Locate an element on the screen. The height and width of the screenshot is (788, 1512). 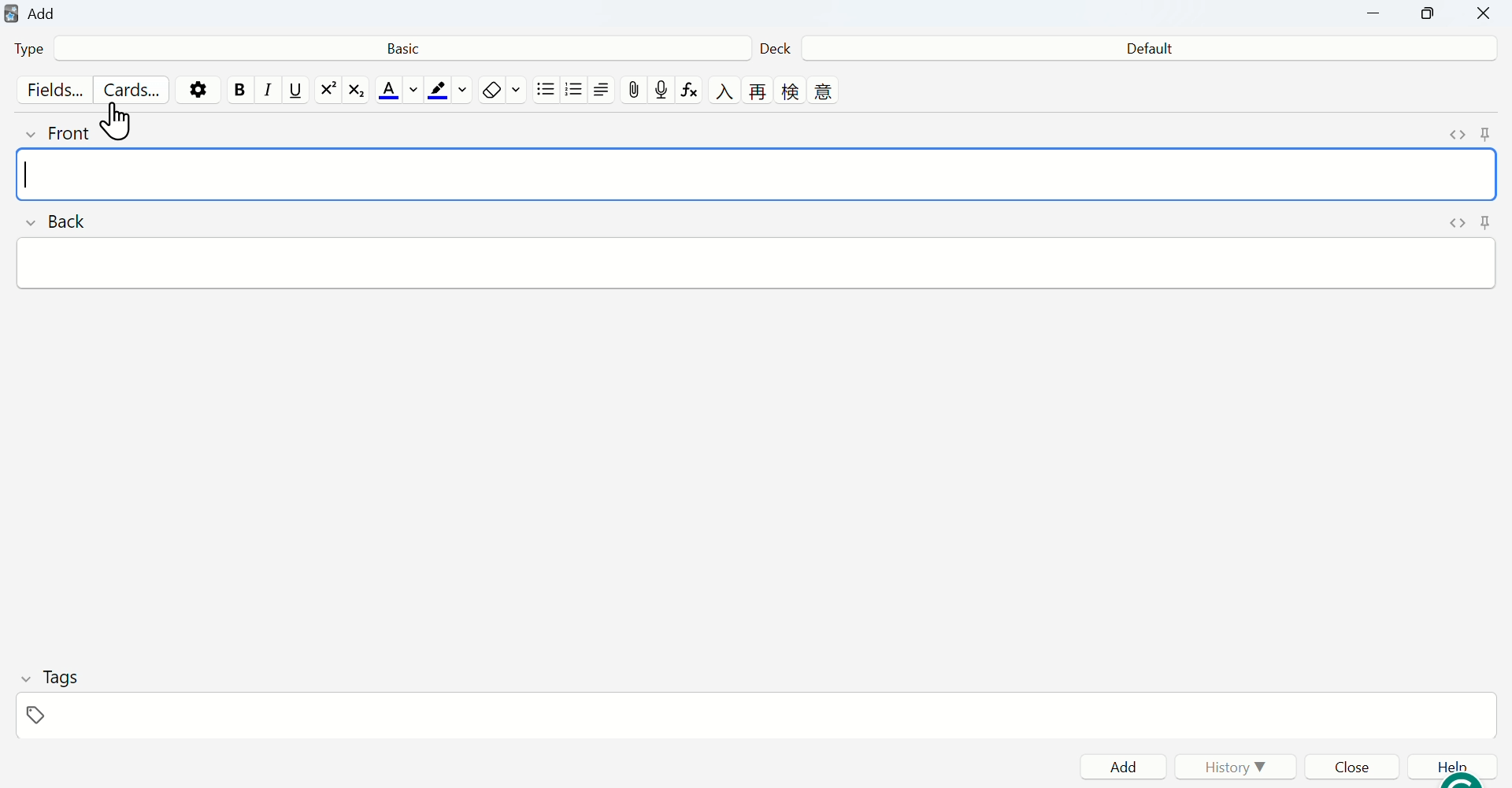
Type is located at coordinates (56, 52).